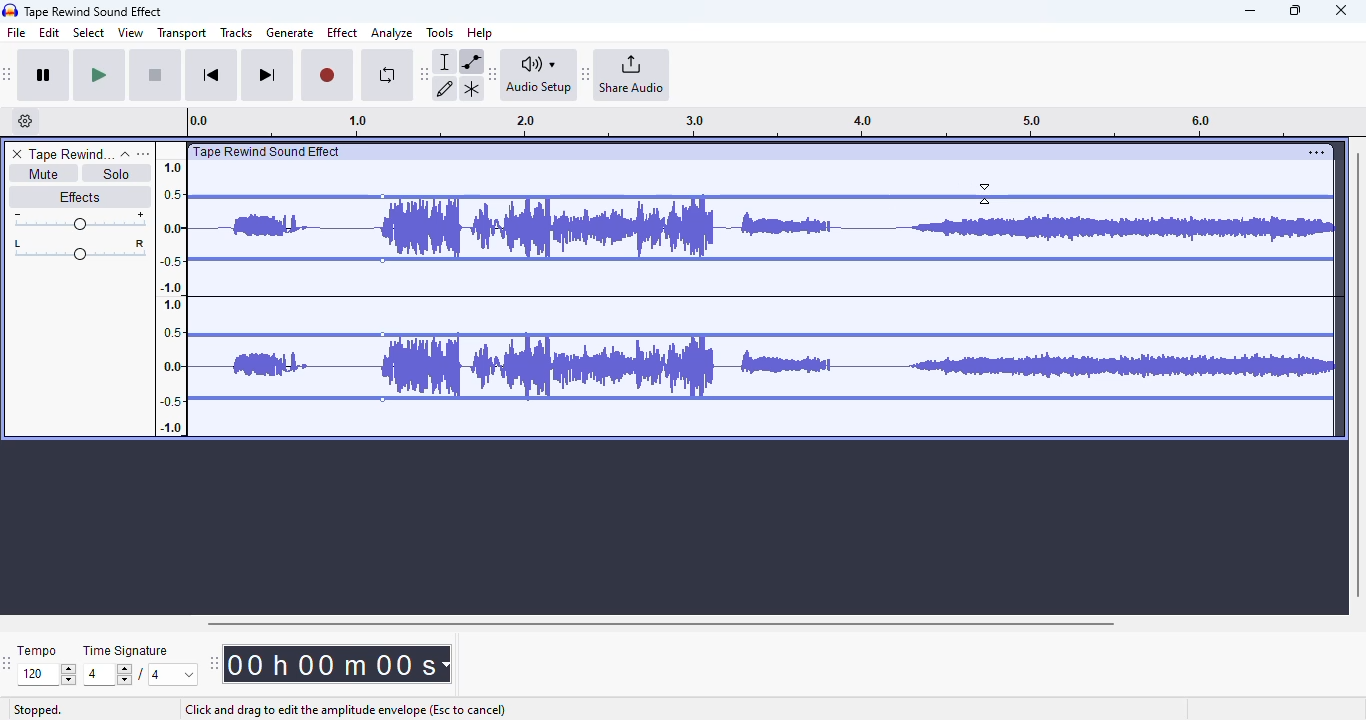 The image size is (1366, 720). Describe the element at coordinates (183, 33) in the screenshot. I see `transport` at that location.